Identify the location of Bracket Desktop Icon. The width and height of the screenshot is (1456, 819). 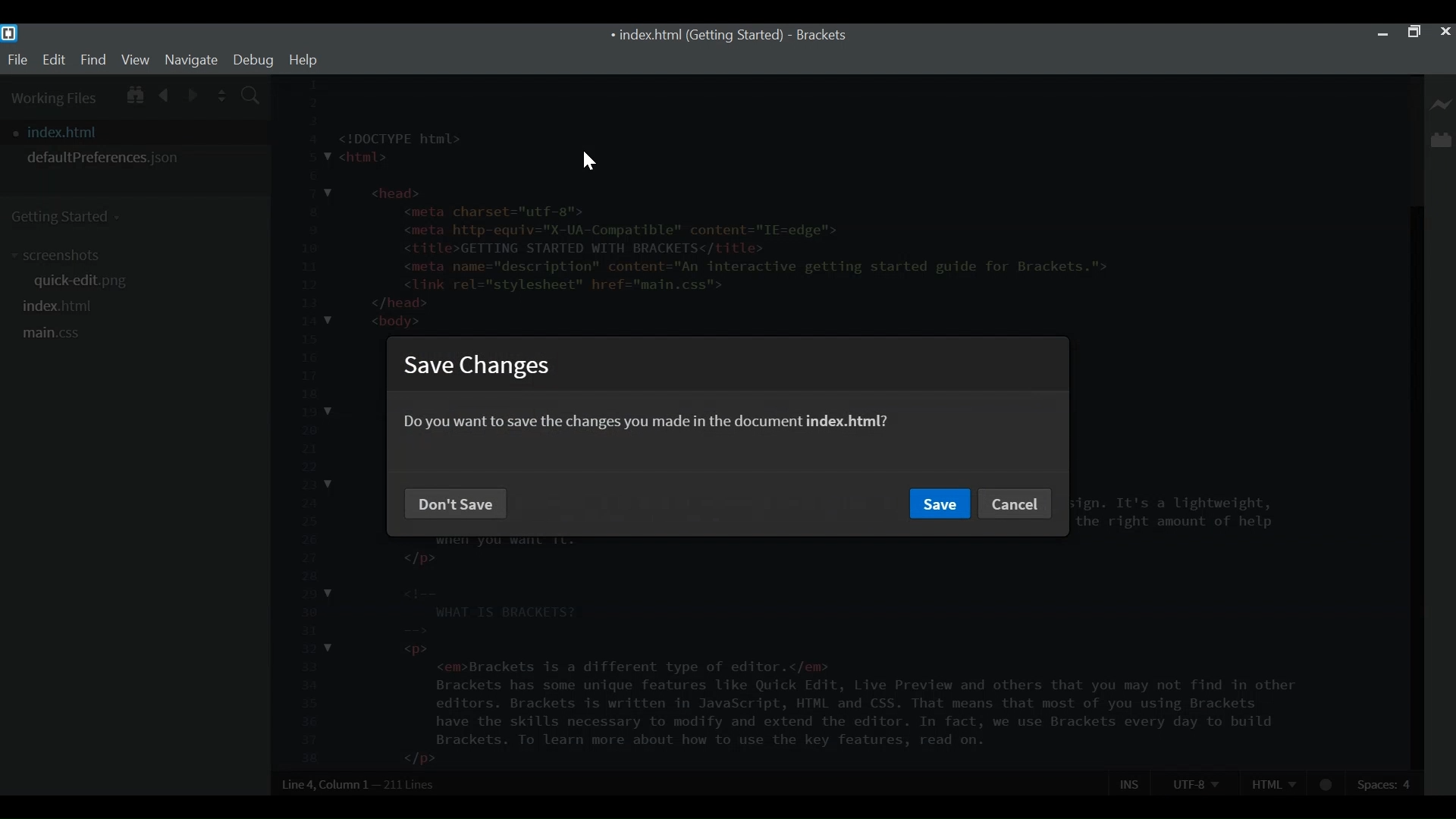
(9, 33).